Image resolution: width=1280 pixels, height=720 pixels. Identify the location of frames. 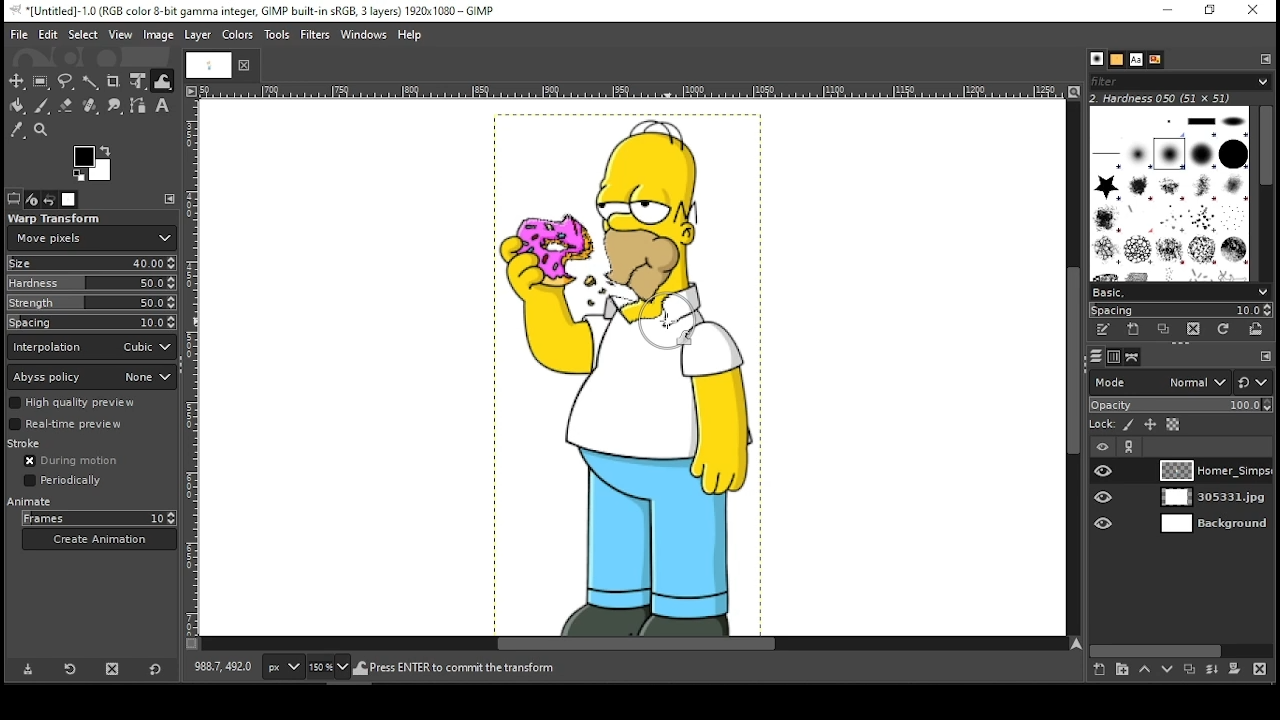
(98, 518).